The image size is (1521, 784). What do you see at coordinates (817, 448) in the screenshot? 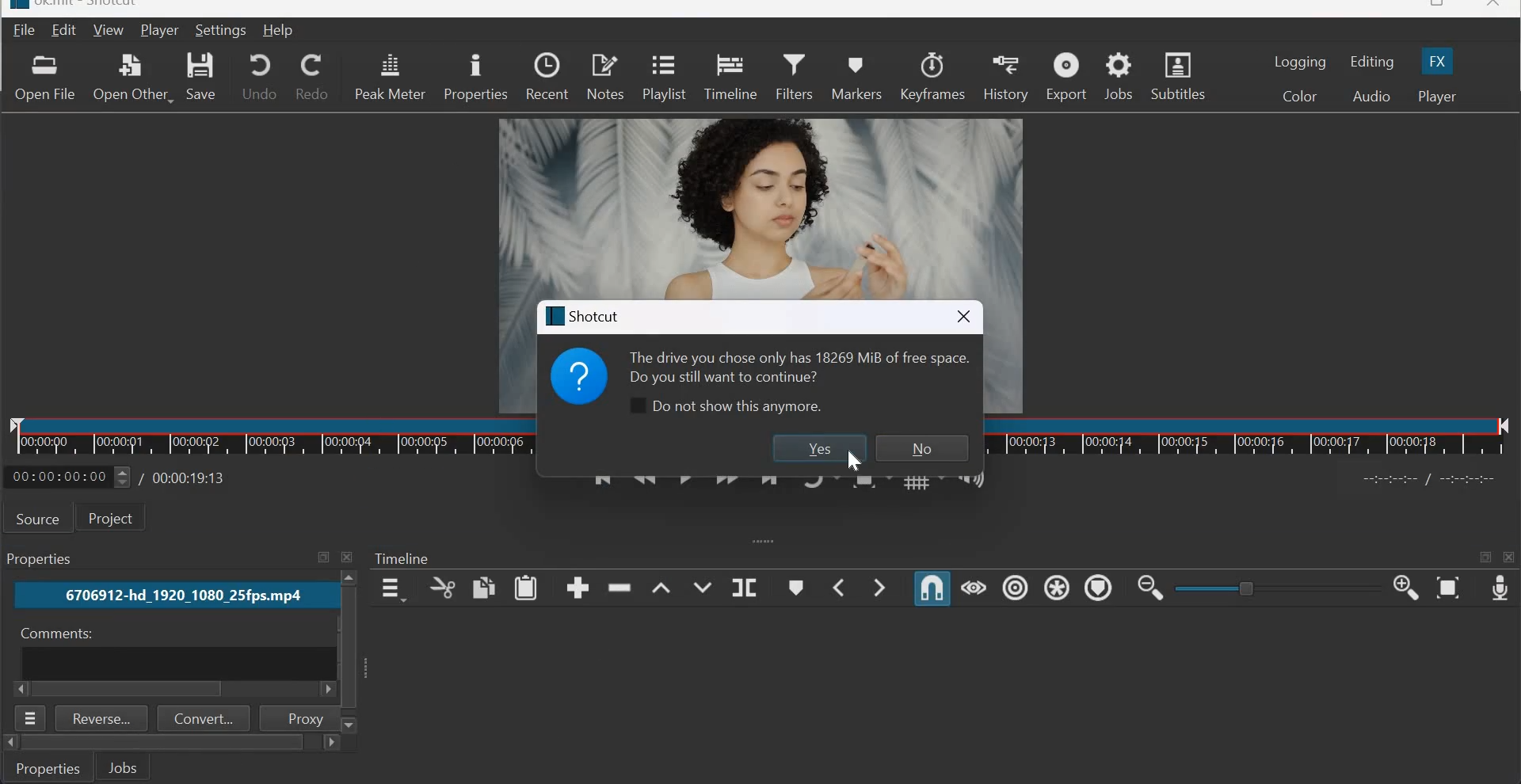
I see `yes` at bounding box center [817, 448].